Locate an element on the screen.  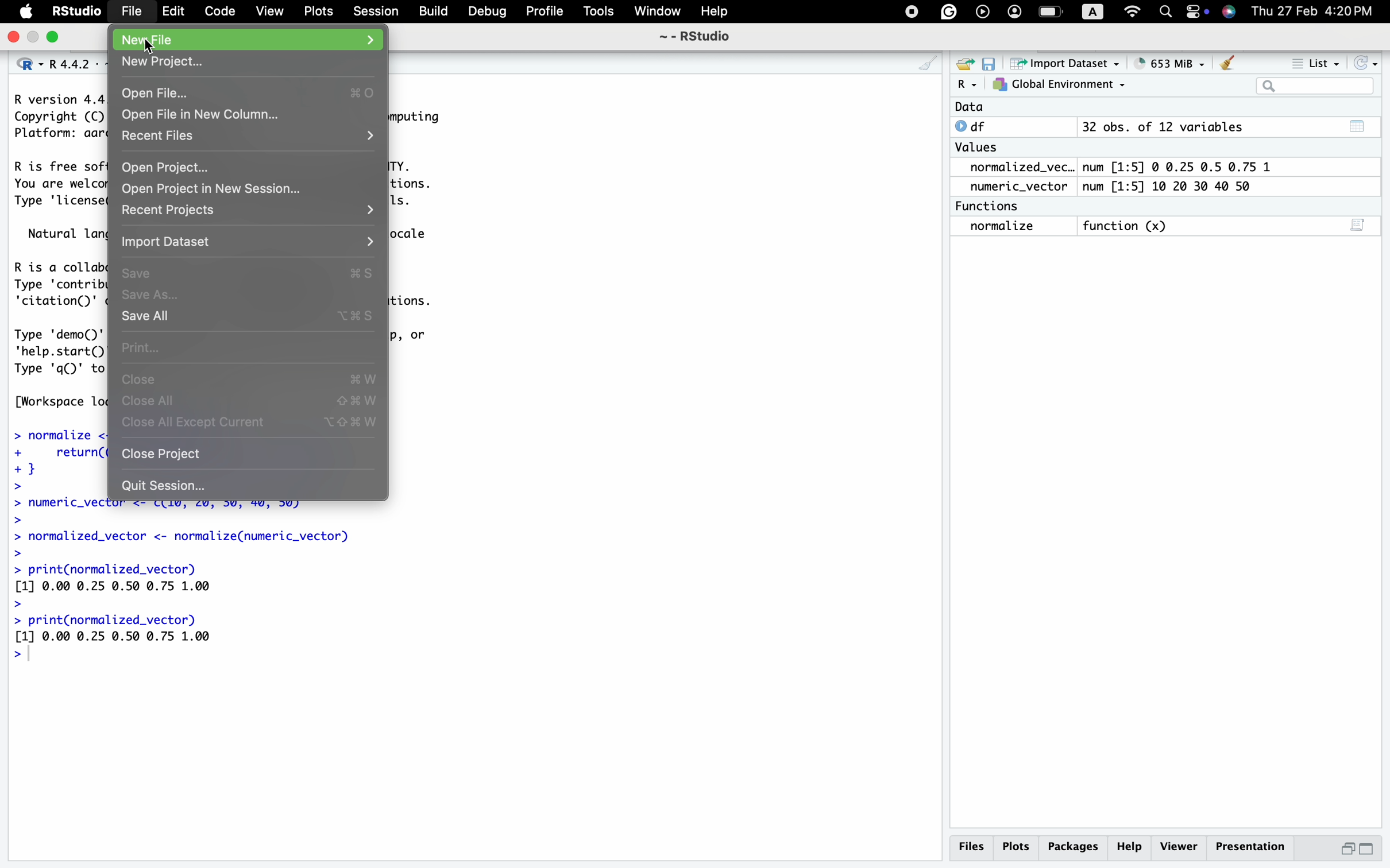
normalized_vec is located at coordinates (1013, 168).